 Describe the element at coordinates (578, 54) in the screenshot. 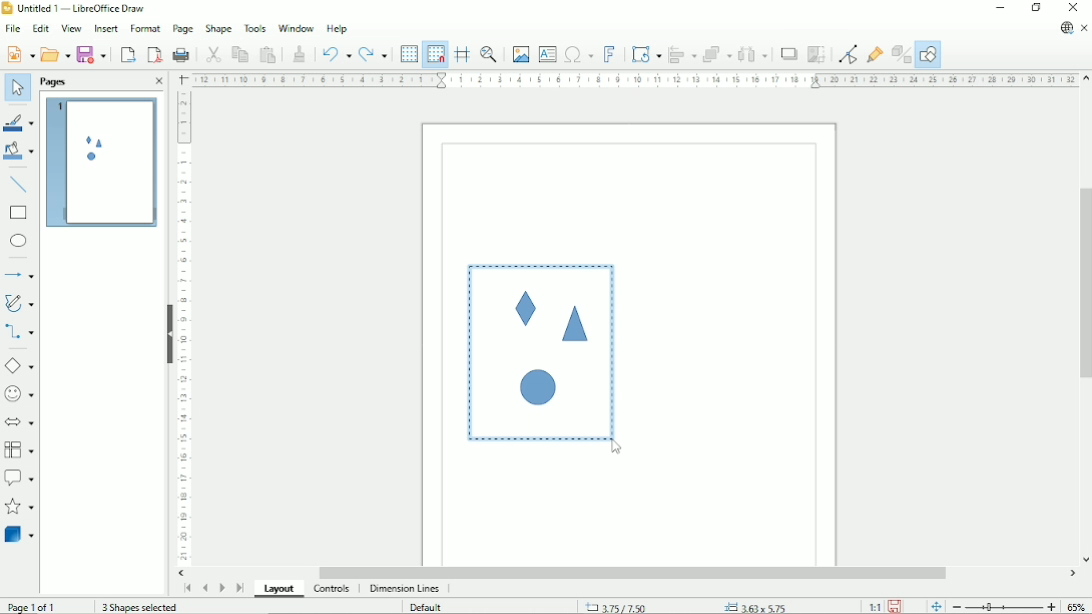

I see `Insert special characters` at that location.